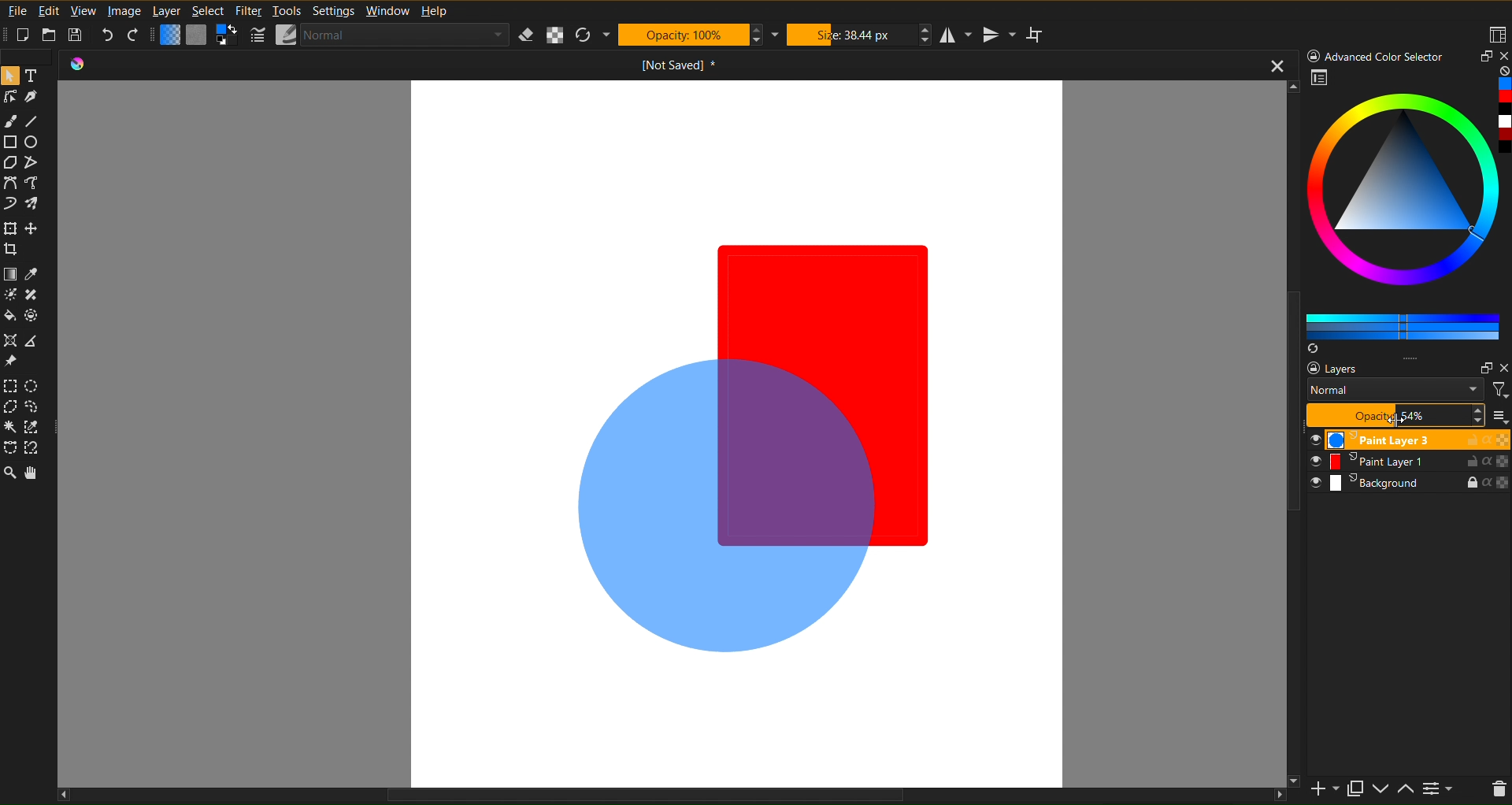 The height and width of the screenshot is (805, 1512). Describe the element at coordinates (728, 508) in the screenshot. I see `Transparent` at that location.